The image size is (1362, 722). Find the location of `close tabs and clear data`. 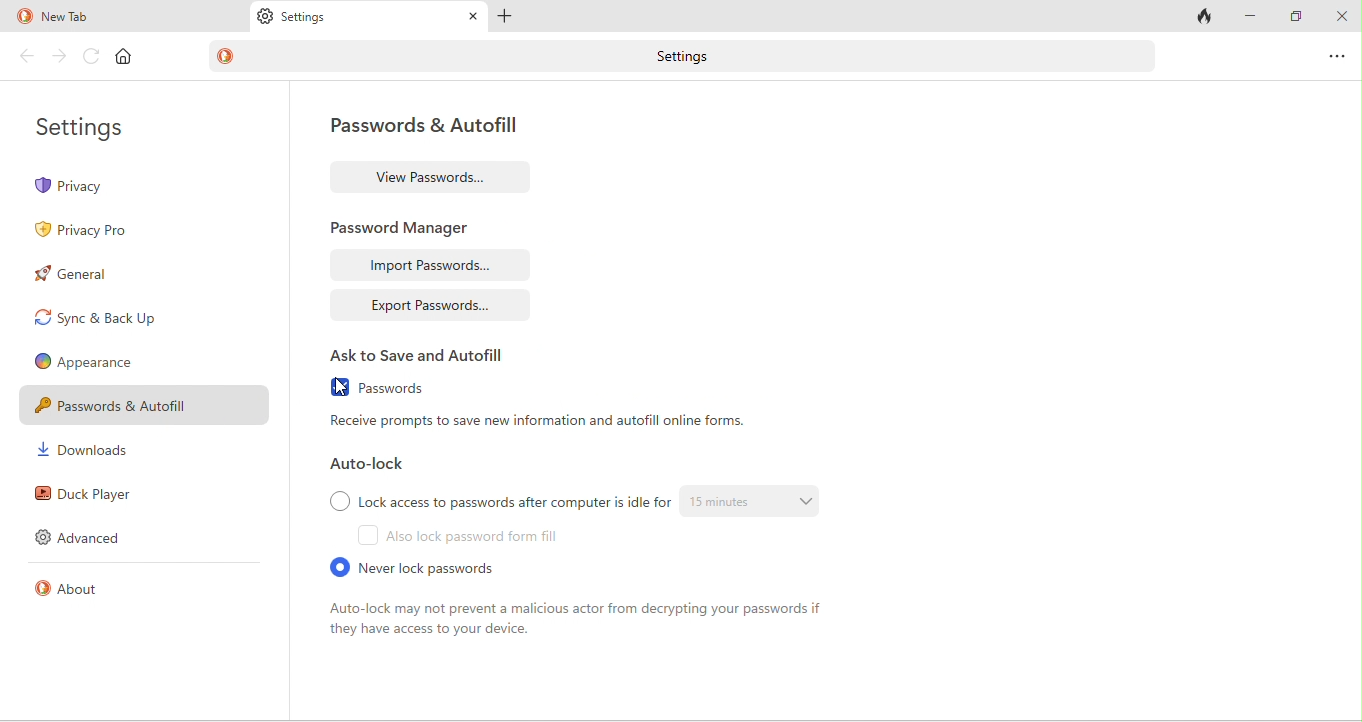

close tabs and clear data is located at coordinates (1206, 17).